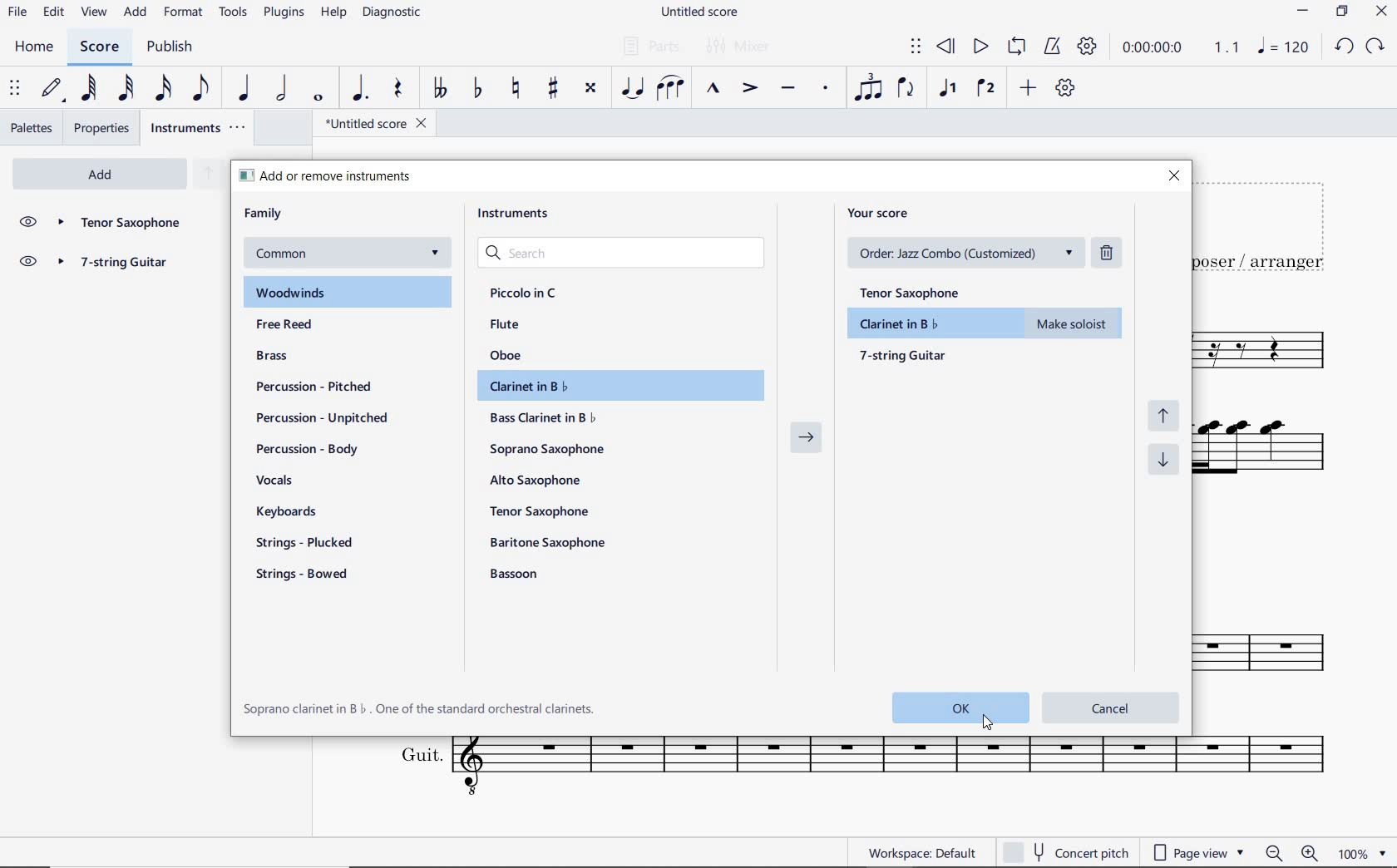  I want to click on soprano saxophone, so click(550, 450).